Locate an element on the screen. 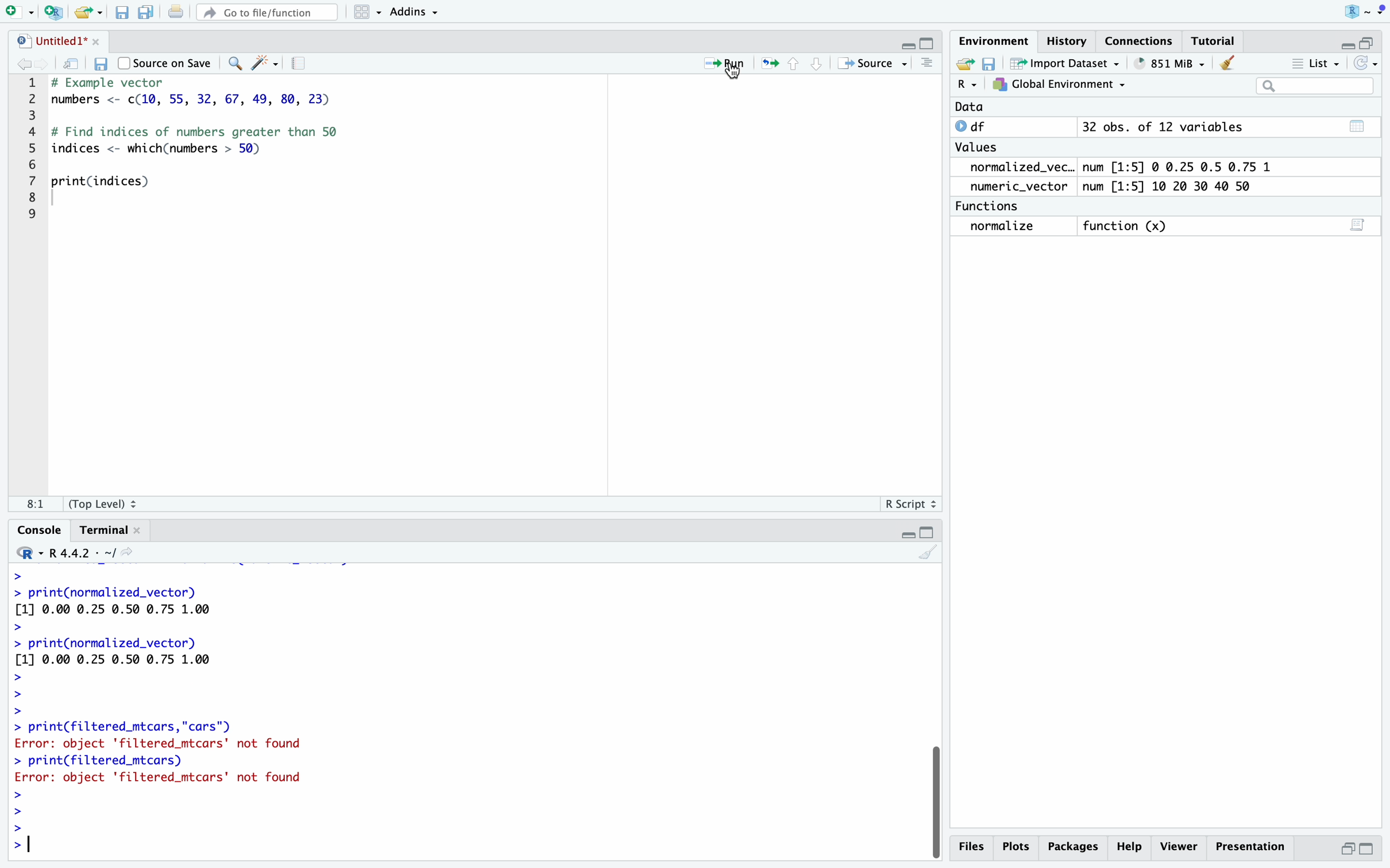  1:1 is located at coordinates (29, 503).